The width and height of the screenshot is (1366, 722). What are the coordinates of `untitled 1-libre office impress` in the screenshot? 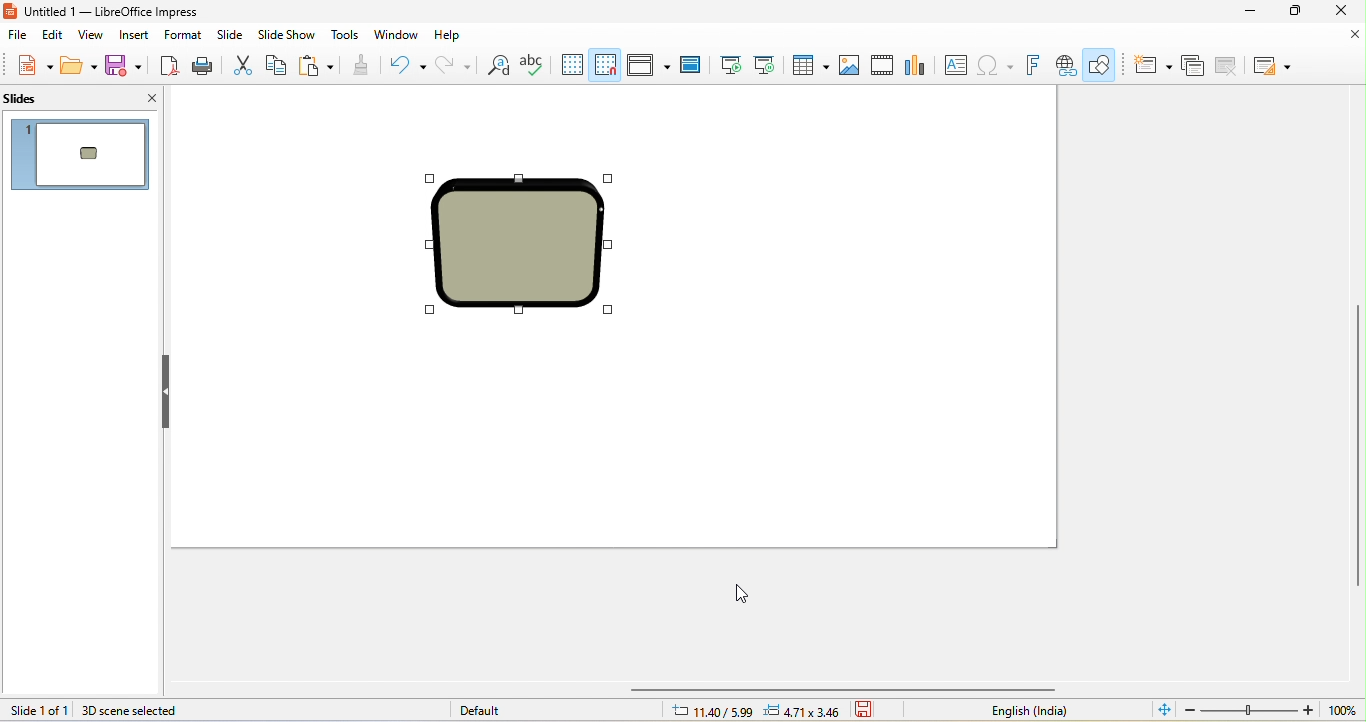 It's located at (138, 12).